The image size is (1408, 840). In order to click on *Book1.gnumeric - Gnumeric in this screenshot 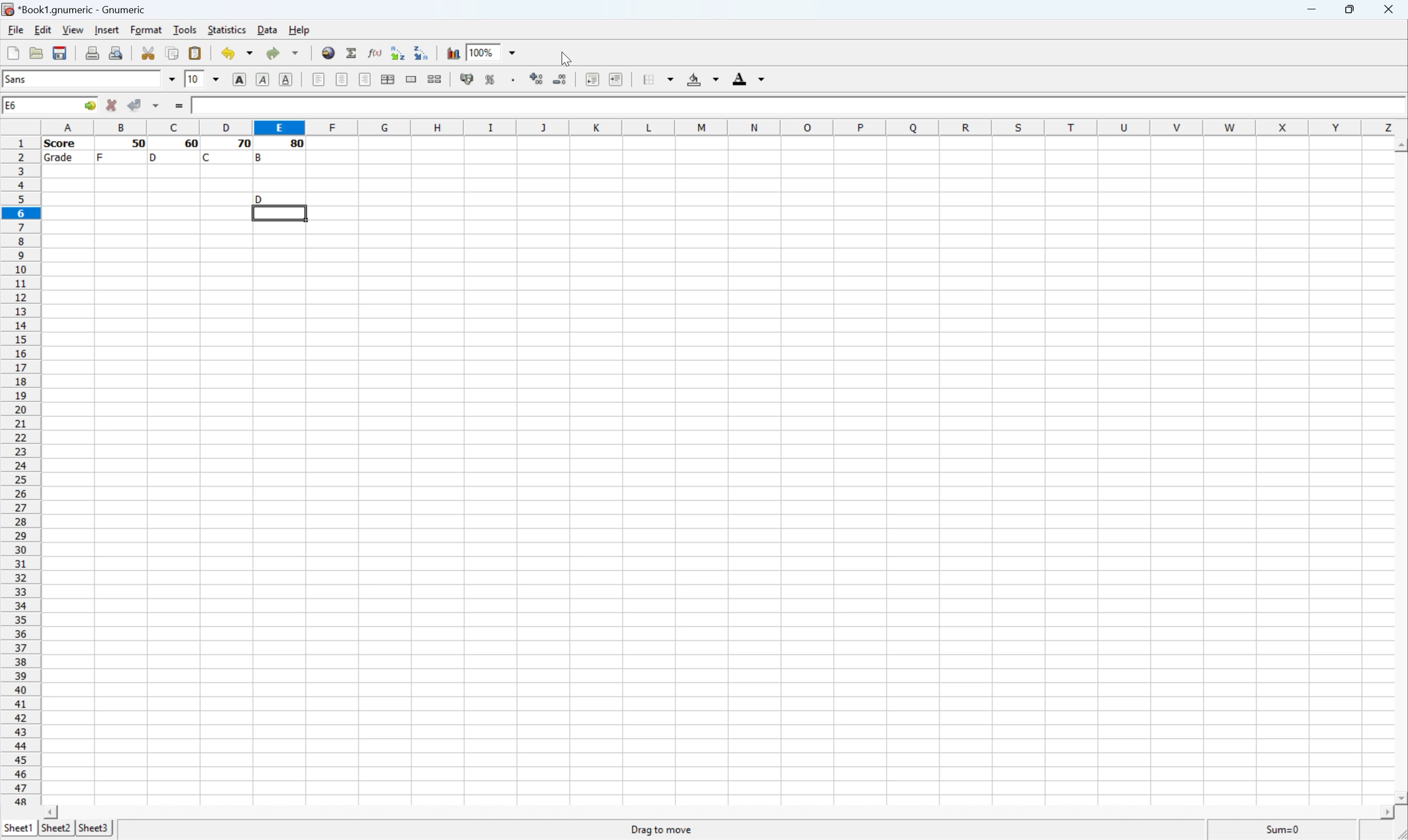, I will do `click(76, 8)`.